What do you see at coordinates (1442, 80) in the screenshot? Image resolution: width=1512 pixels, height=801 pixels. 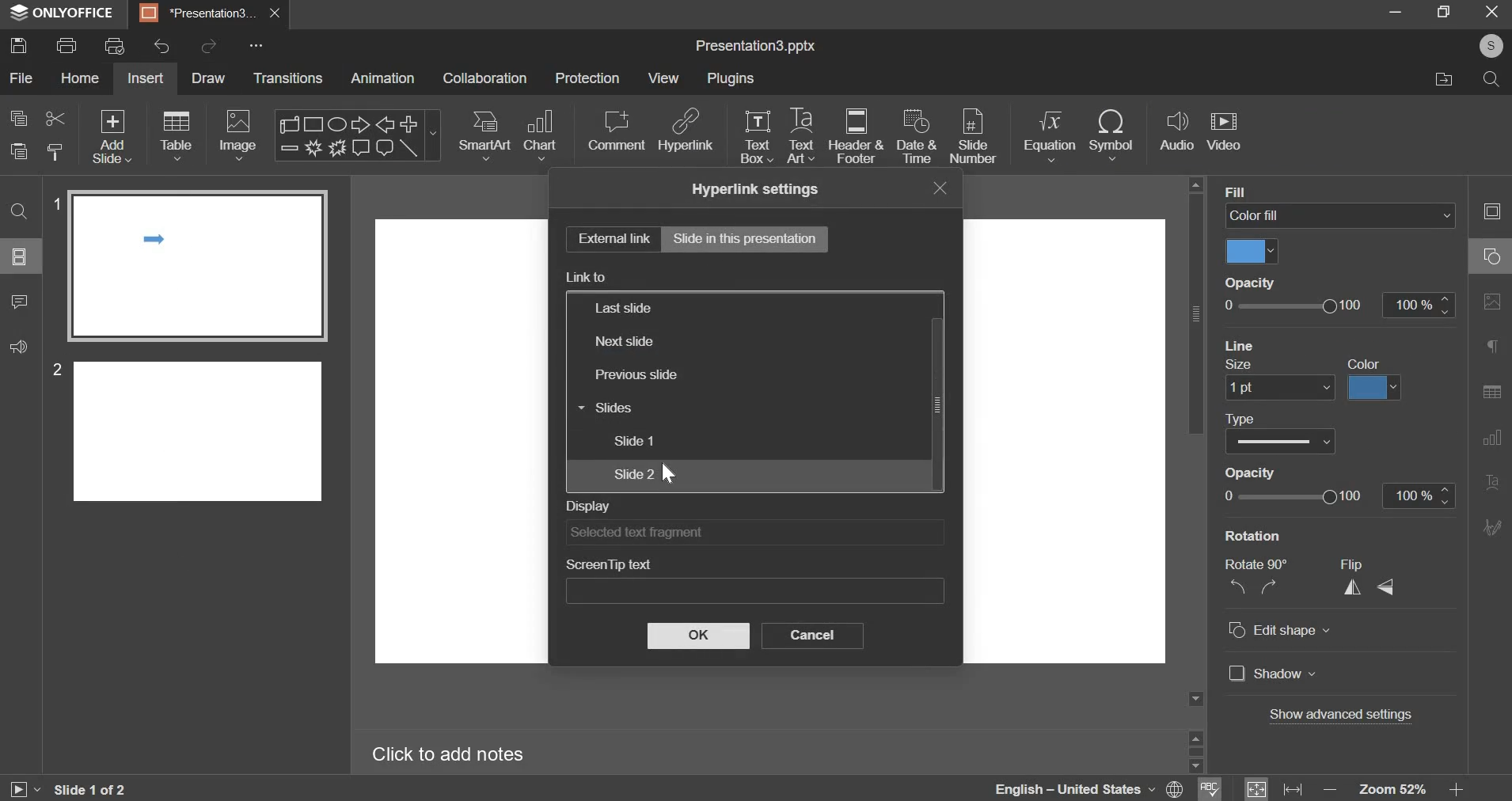 I see `file location` at bounding box center [1442, 80].